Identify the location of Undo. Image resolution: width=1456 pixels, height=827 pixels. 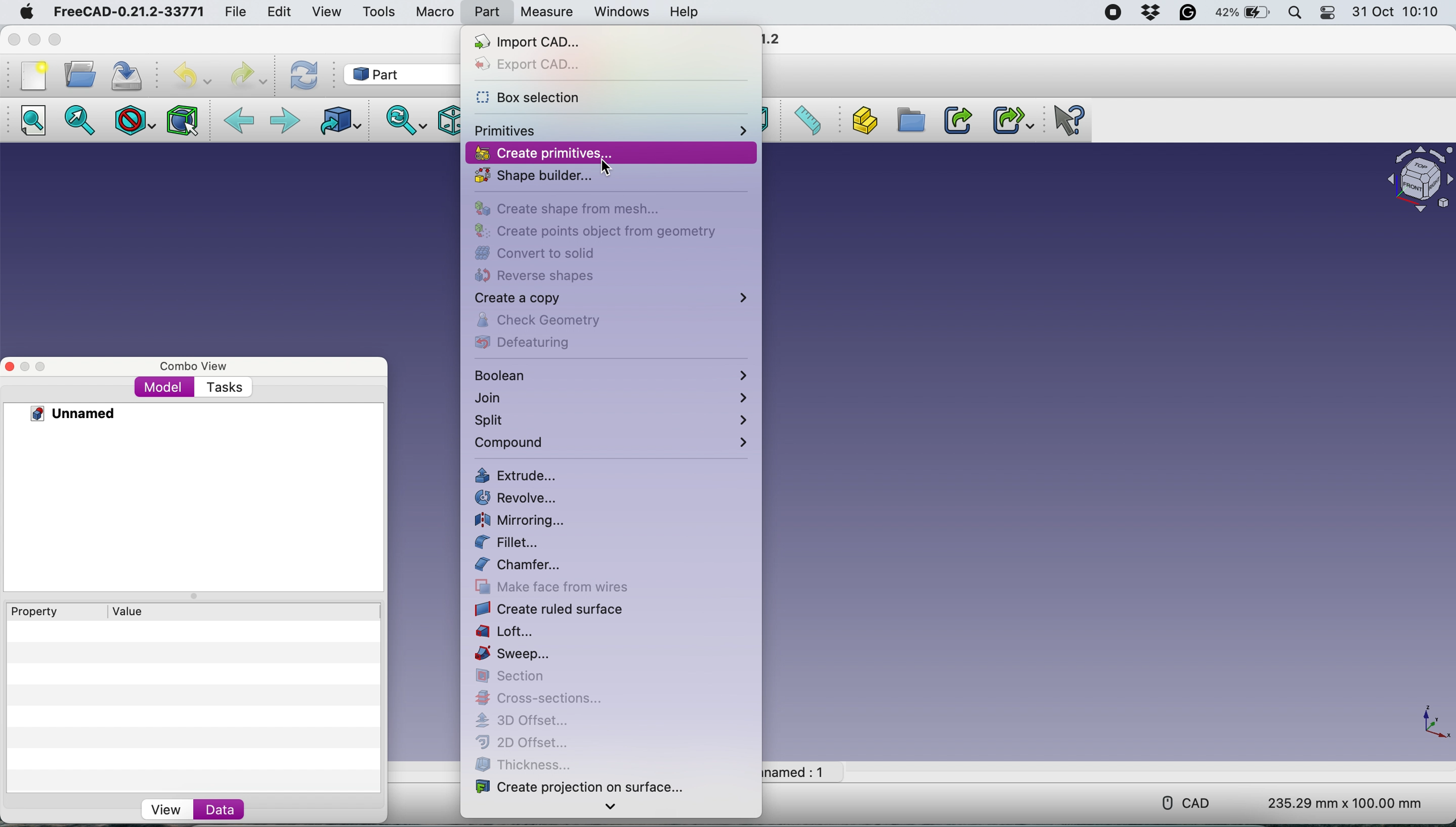
(192, 76).